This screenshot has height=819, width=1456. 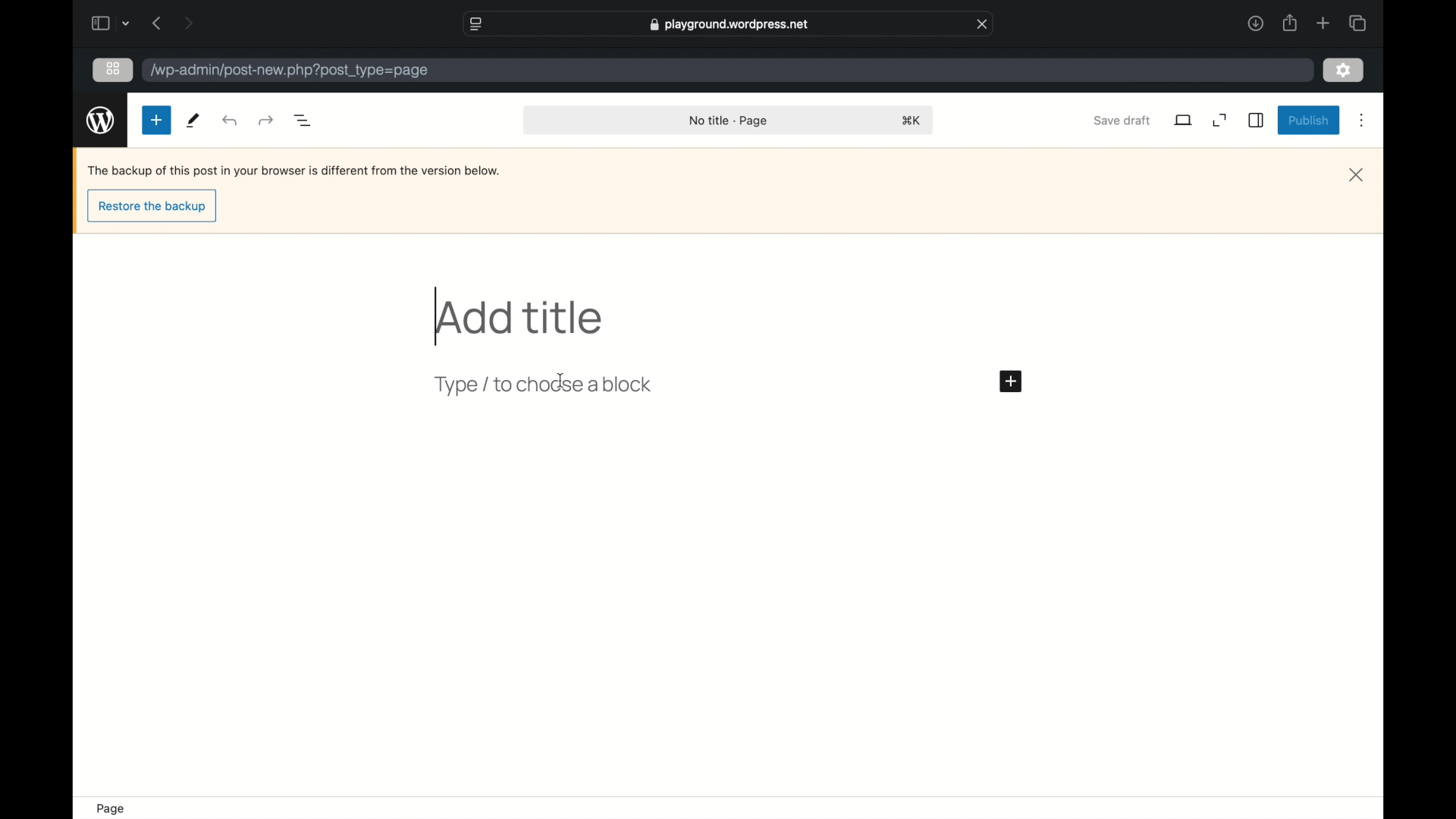 I want to click on restore the backup, so click(x=152, y=208).